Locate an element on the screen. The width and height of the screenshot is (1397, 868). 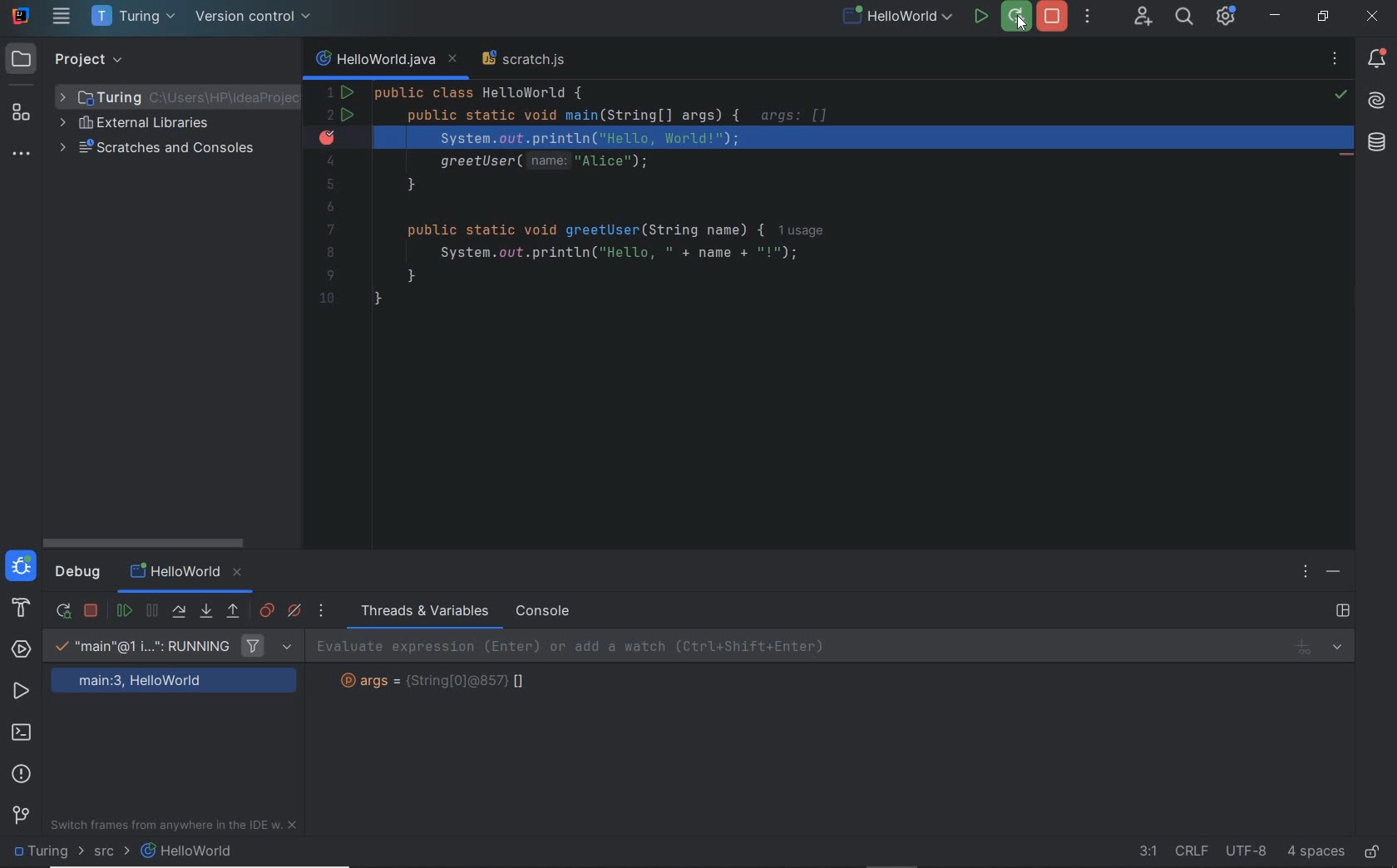
file name is located at coordinates (897, 18).